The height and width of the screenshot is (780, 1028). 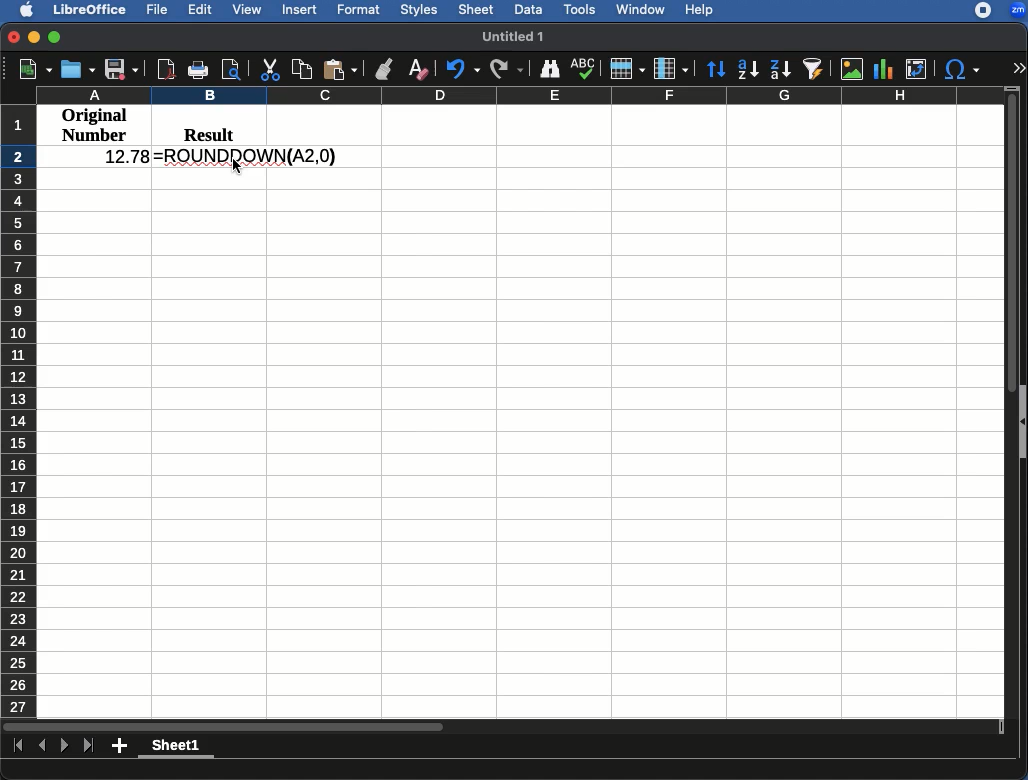 What do you see at coordinates (641, 10) in the screenshot?
I see `Window` at bounding box center [641, 10].